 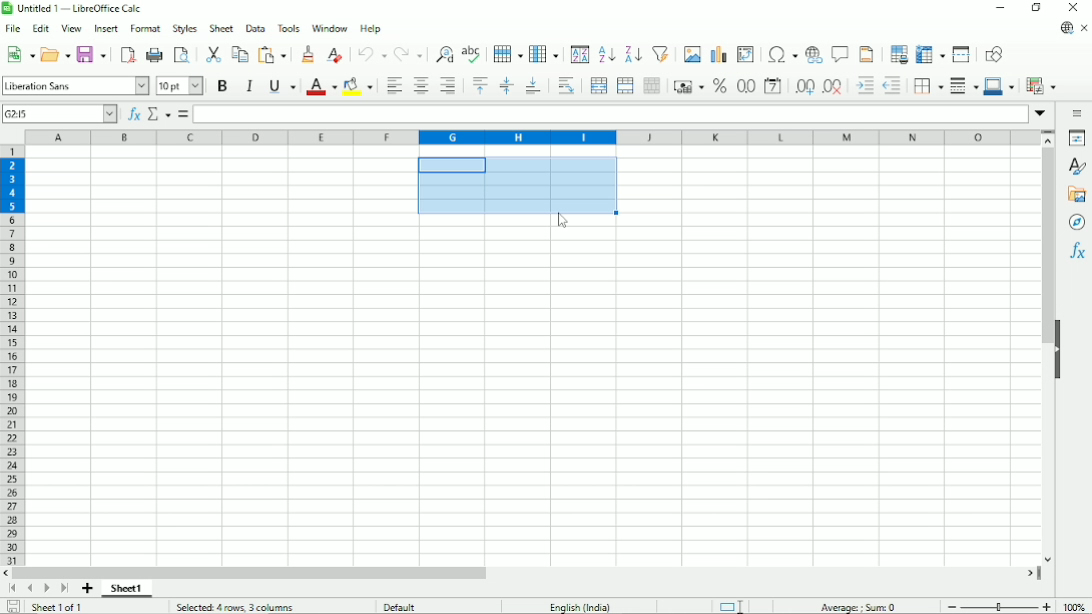 I want to click on Zoom out/in, so click(x=1000, y=606).